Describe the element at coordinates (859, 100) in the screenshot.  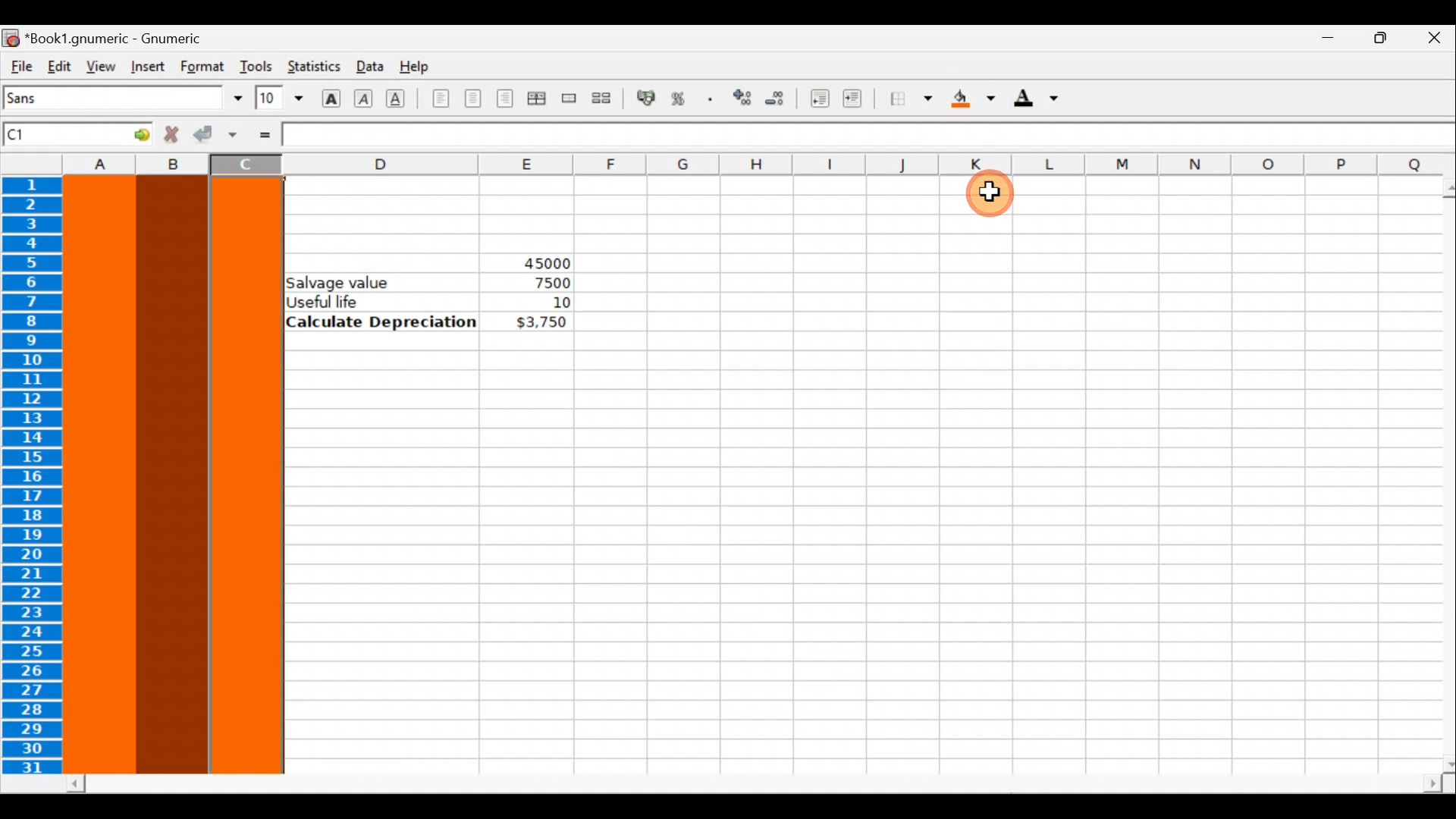
I see `Increase indent, align contents to the left` at that location.